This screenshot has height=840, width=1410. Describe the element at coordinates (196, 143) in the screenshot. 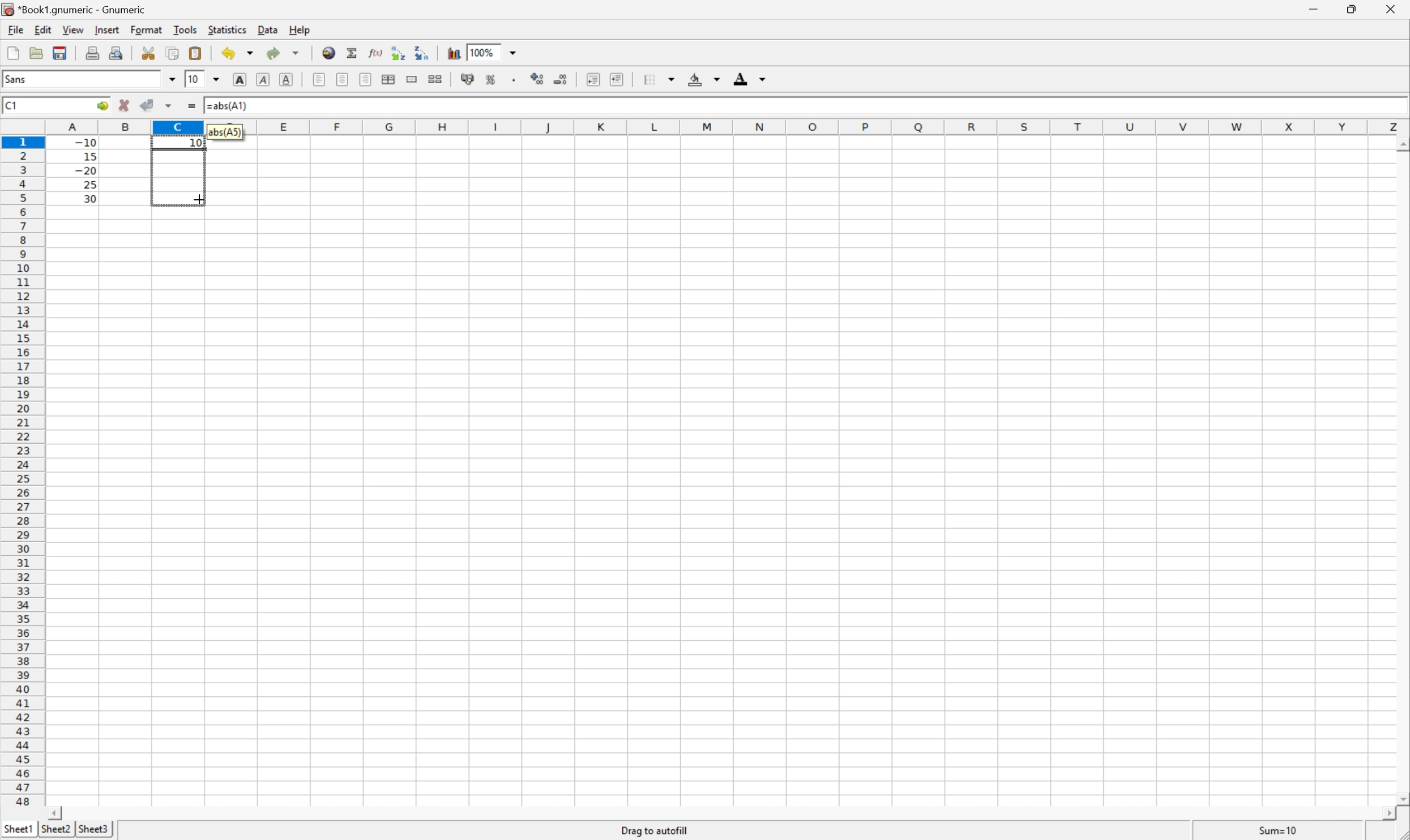

I see `10` at that location.